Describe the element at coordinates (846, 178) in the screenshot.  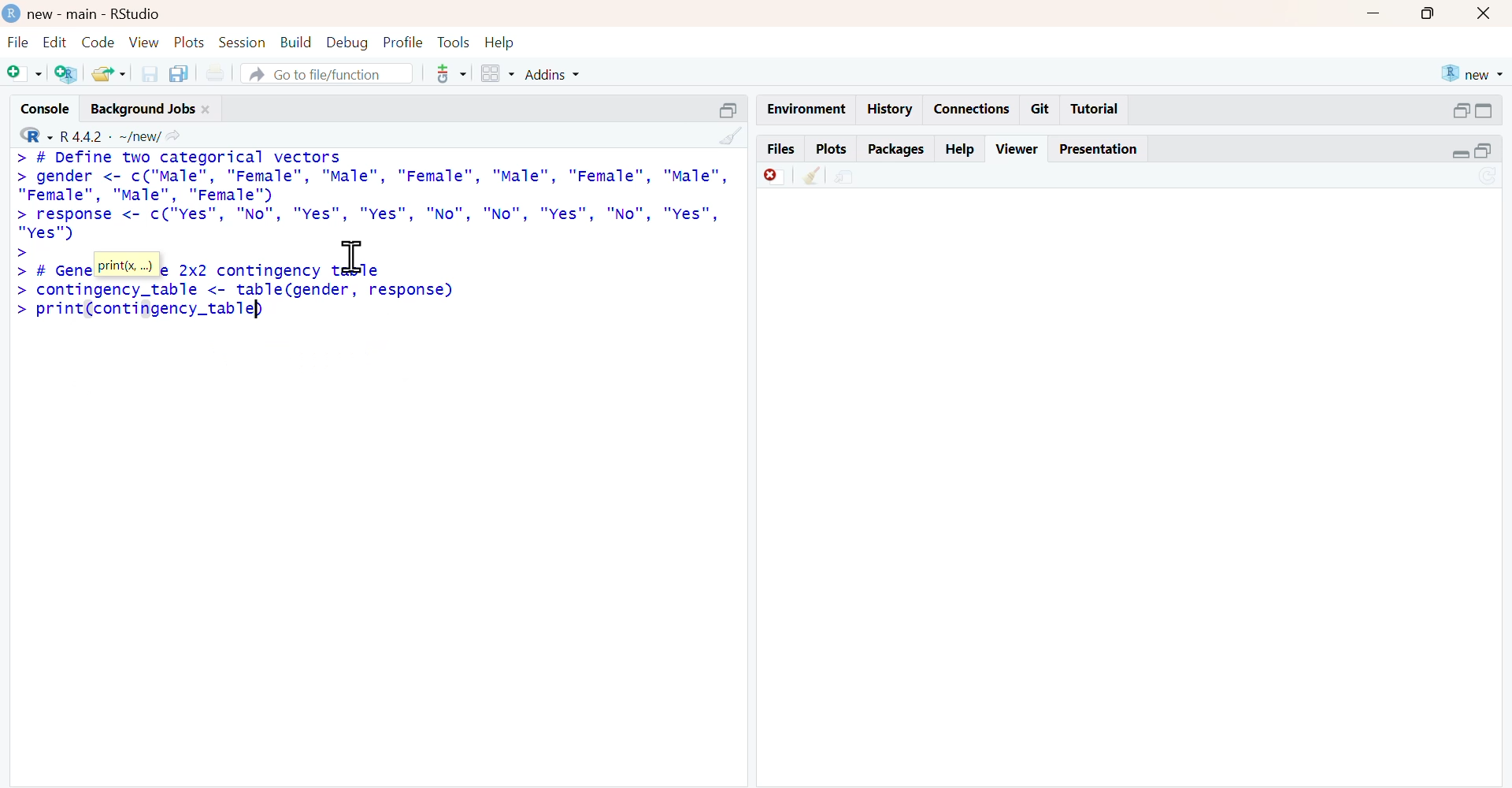
I see `share` at that location.